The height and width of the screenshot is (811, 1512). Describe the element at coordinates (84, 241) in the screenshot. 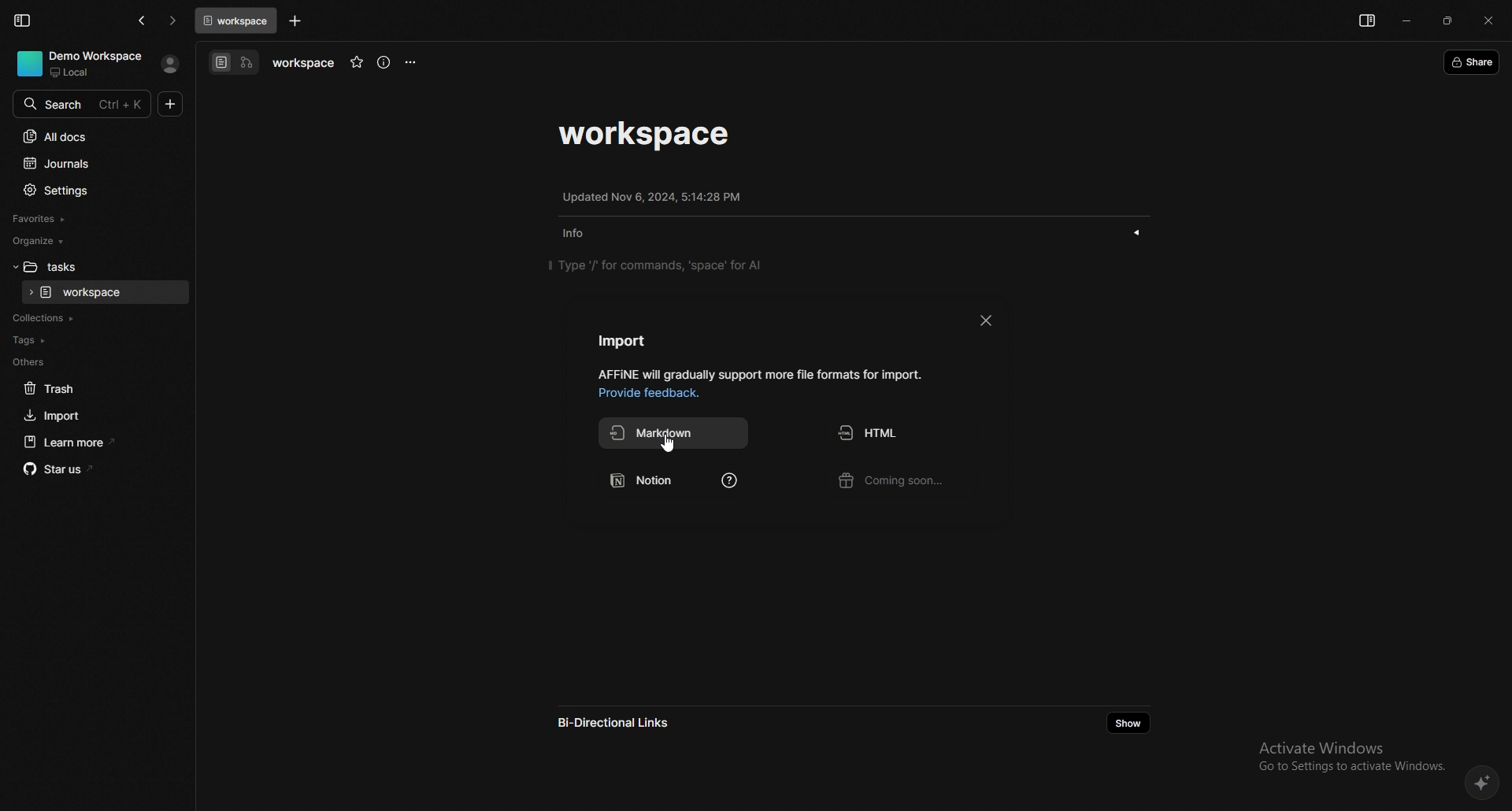

I see `organize` at that location.